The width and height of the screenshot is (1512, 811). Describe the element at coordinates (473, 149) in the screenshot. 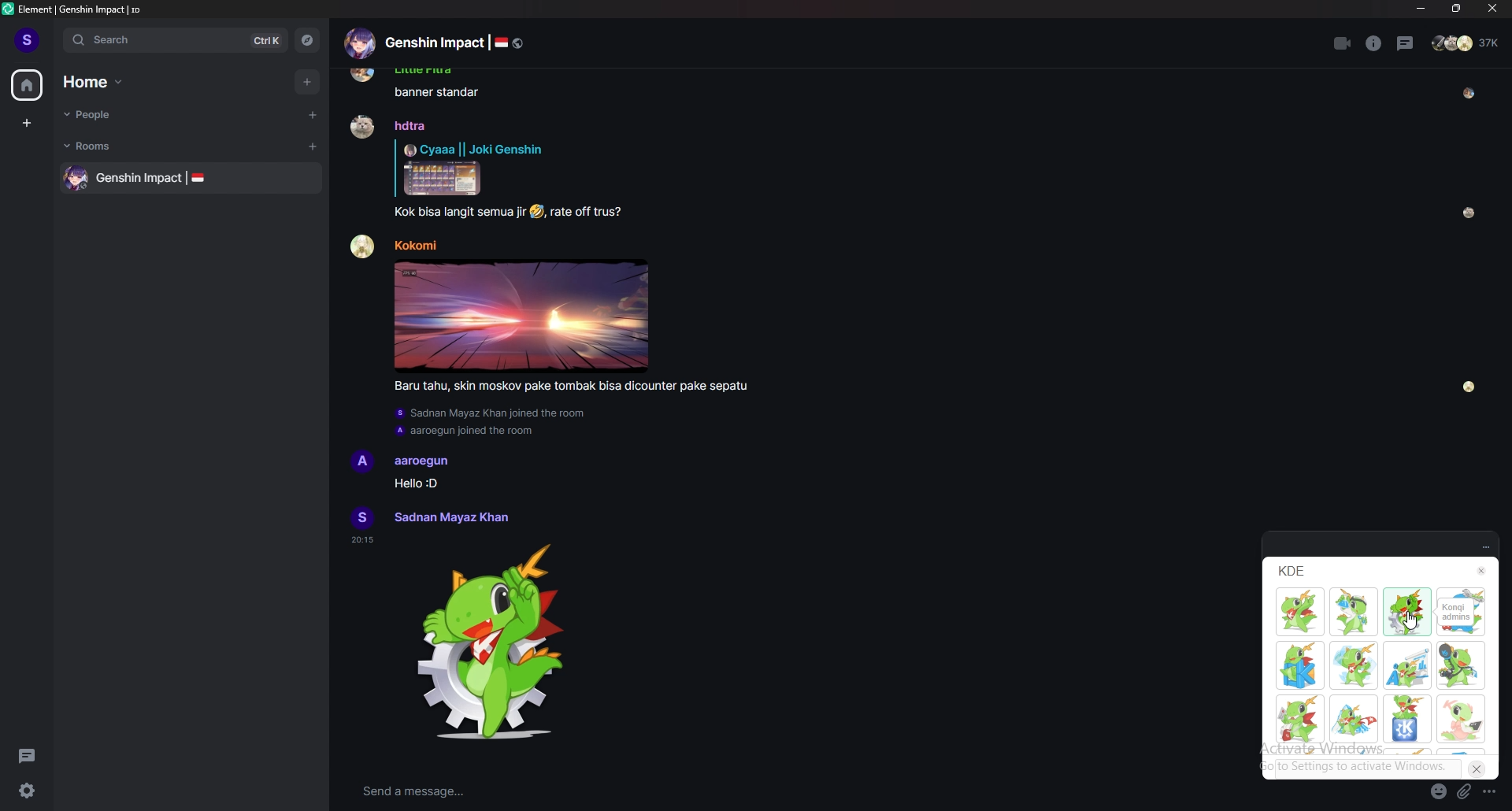

I see `Cyaaa || Joki Genshin` at that location.